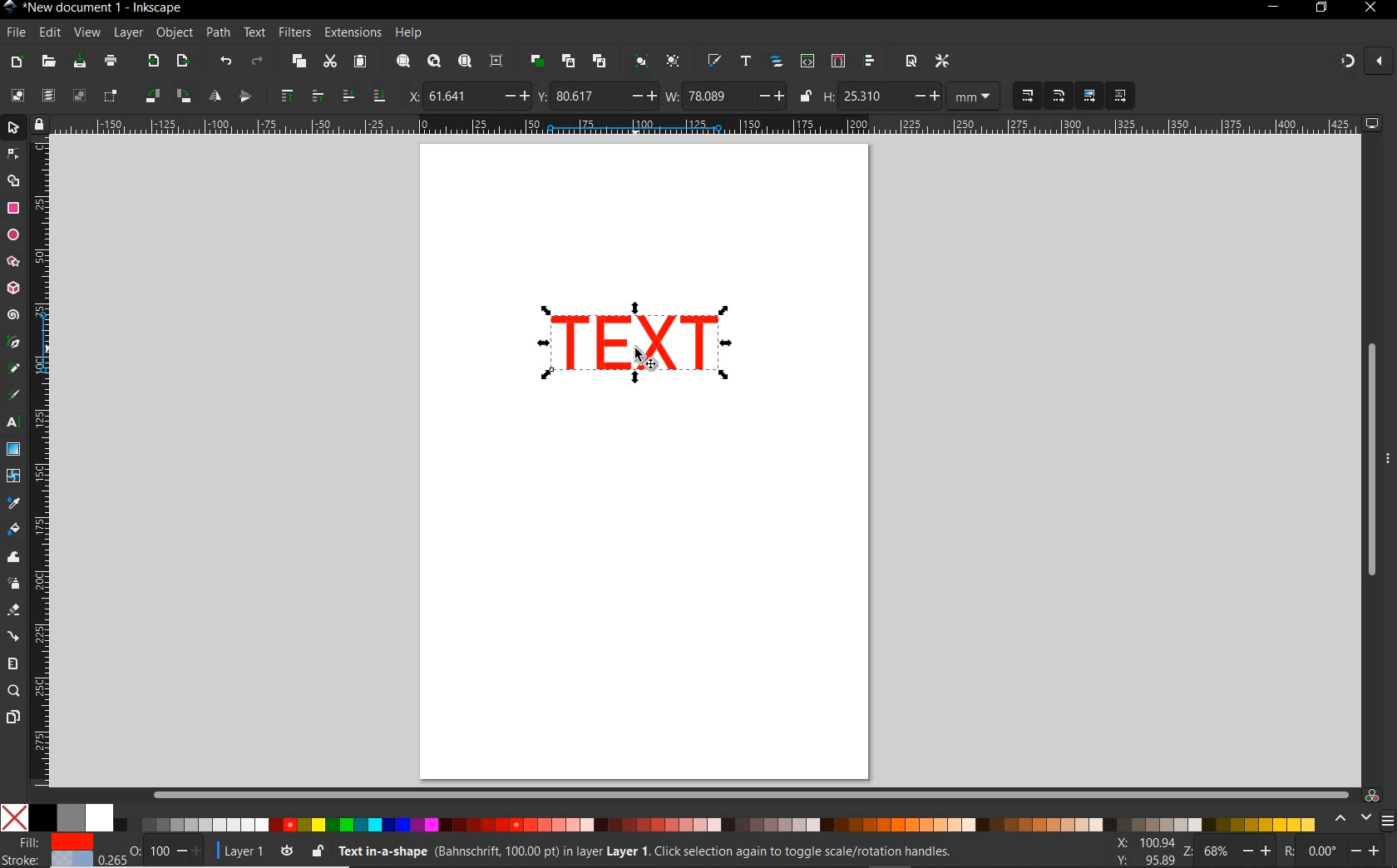 This screenshot has height=868, width=1397. Describe the element at coordinates (50, 61) in the screenshot. I see `open file dialog` at that location.